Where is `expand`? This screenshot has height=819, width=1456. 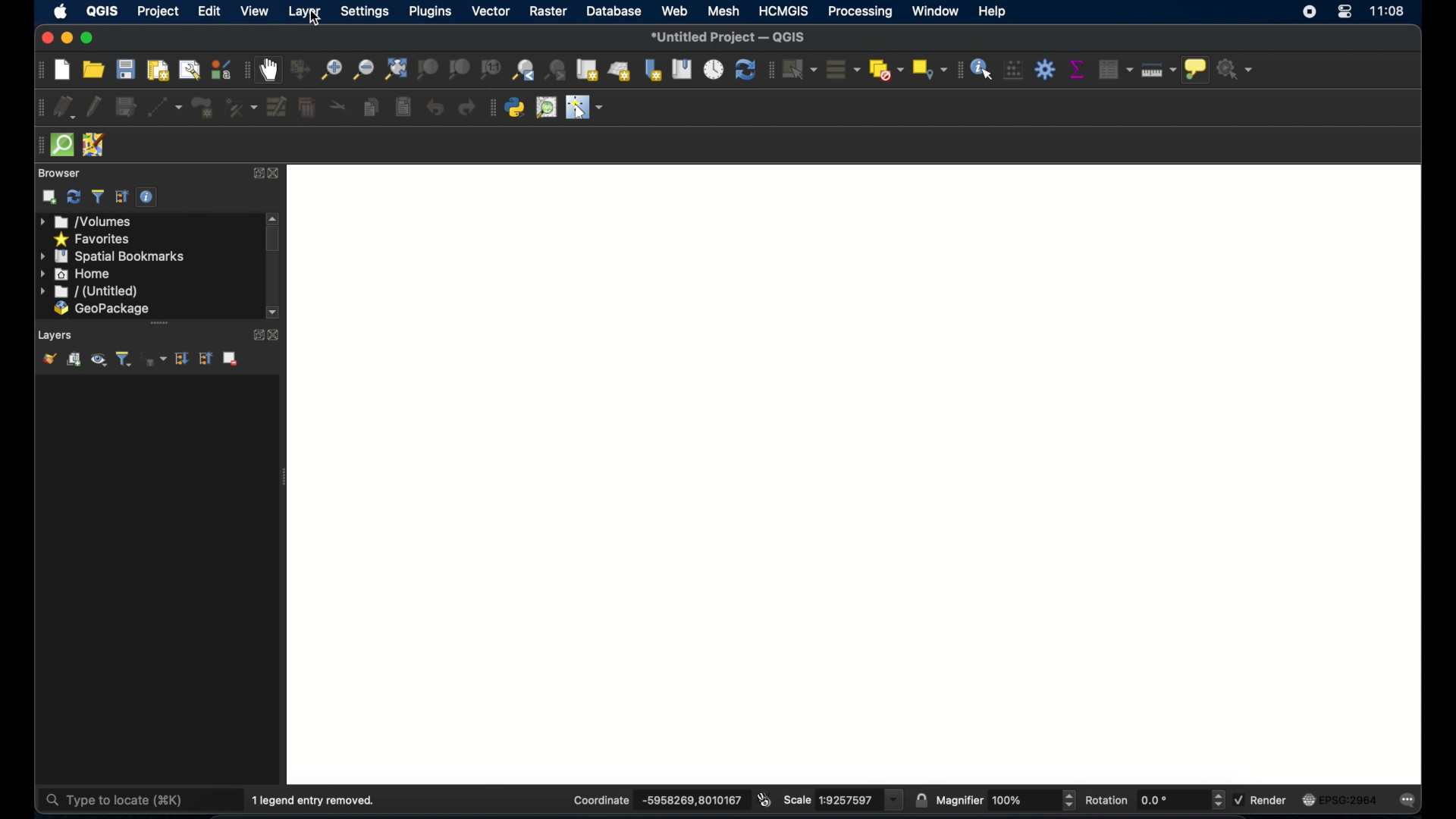 expand is located at coordinates (258, 173).